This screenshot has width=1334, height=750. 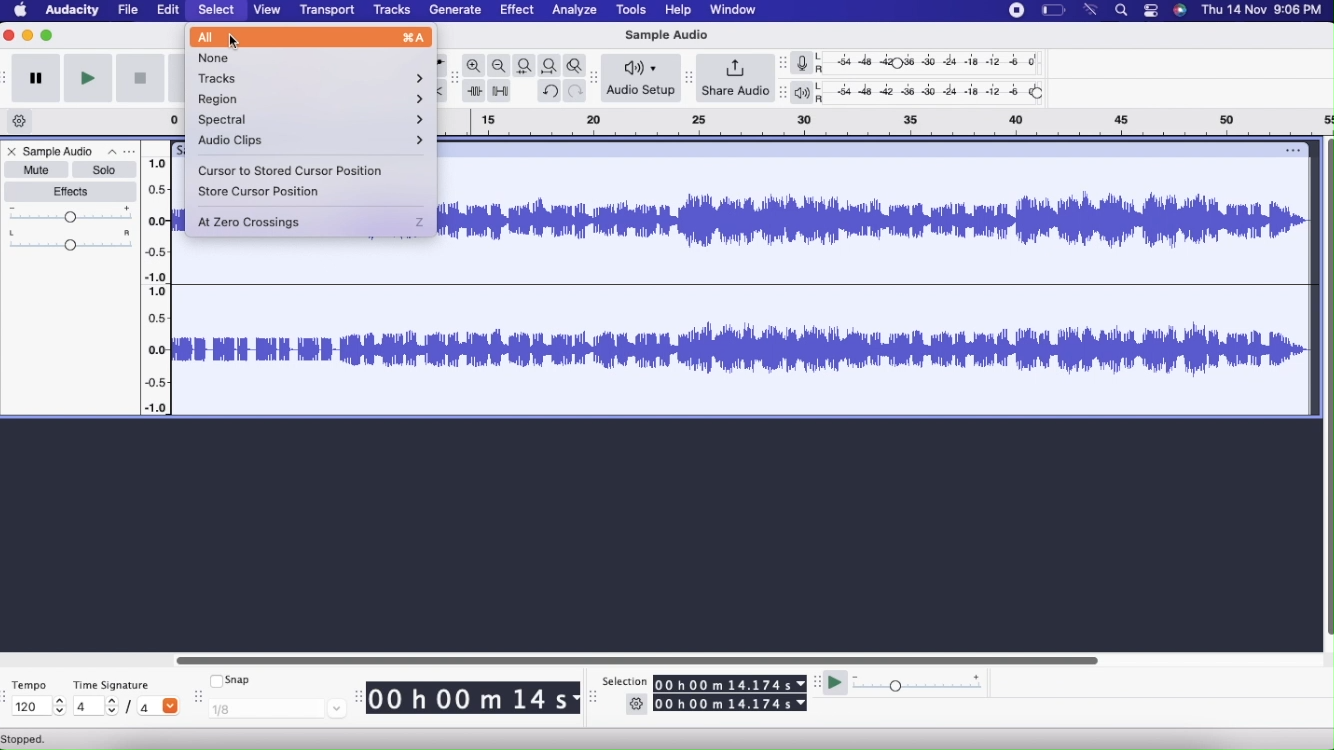 What do you see at coordinates (306, 58) in the screenshot?
I see `None` at bounding box center [306, 58].